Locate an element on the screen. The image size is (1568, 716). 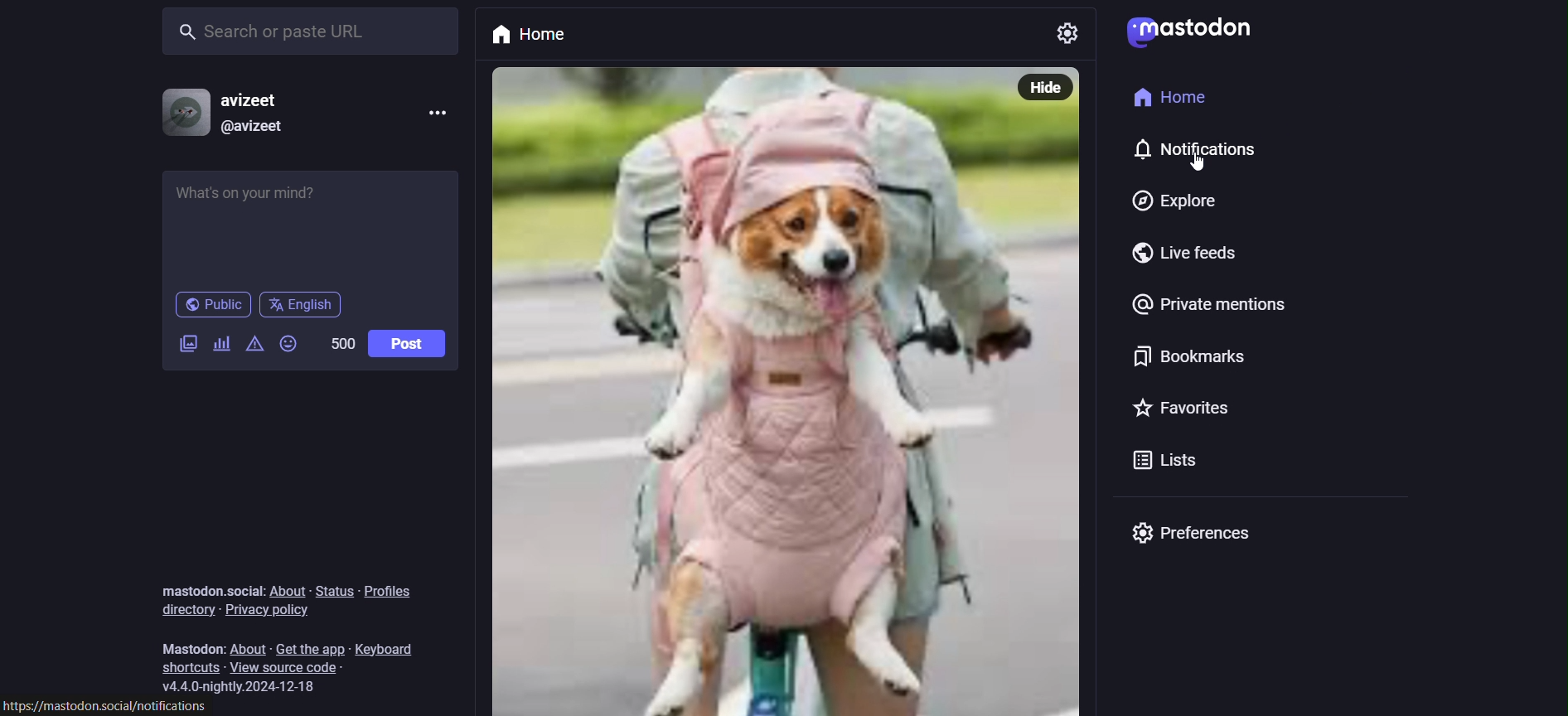
cursor is located at coordinates (1196, 169).